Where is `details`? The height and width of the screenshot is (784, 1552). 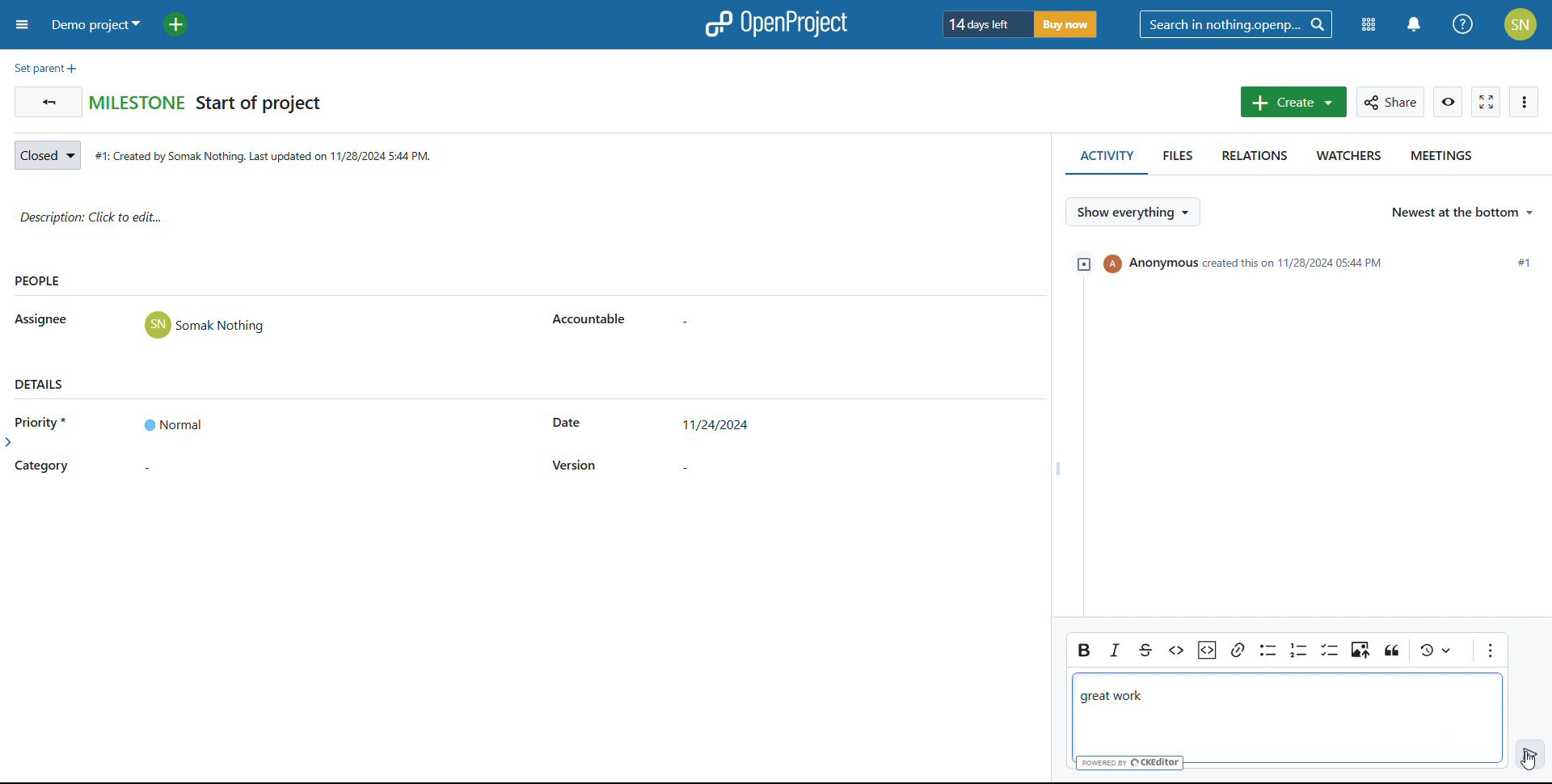 details is located at coordinates (40, 383).